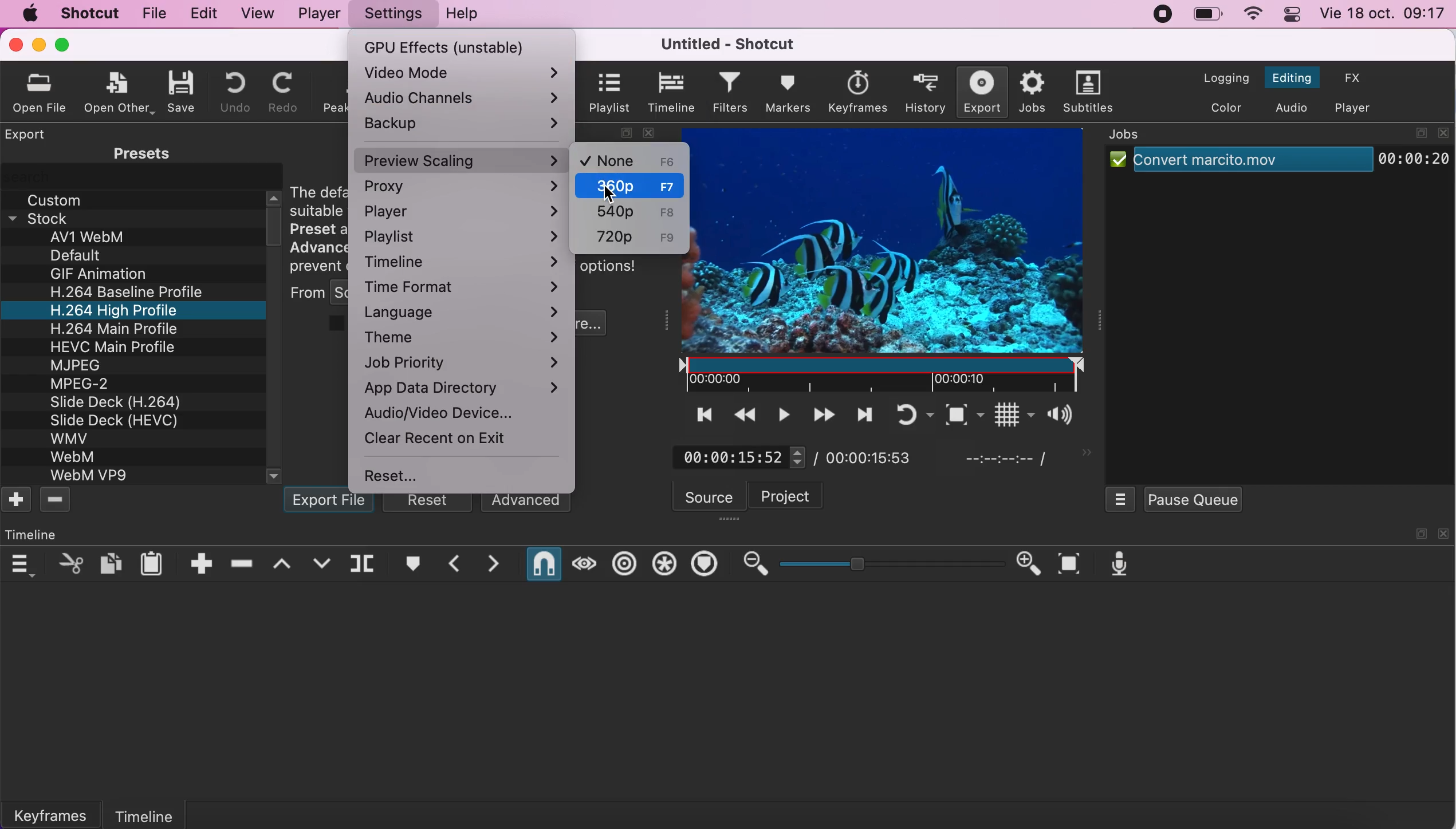 This screenshot has width=1456, height=829. Describe the element at coordinates (201, 12) in the screenshot. I see `edit` at that location.